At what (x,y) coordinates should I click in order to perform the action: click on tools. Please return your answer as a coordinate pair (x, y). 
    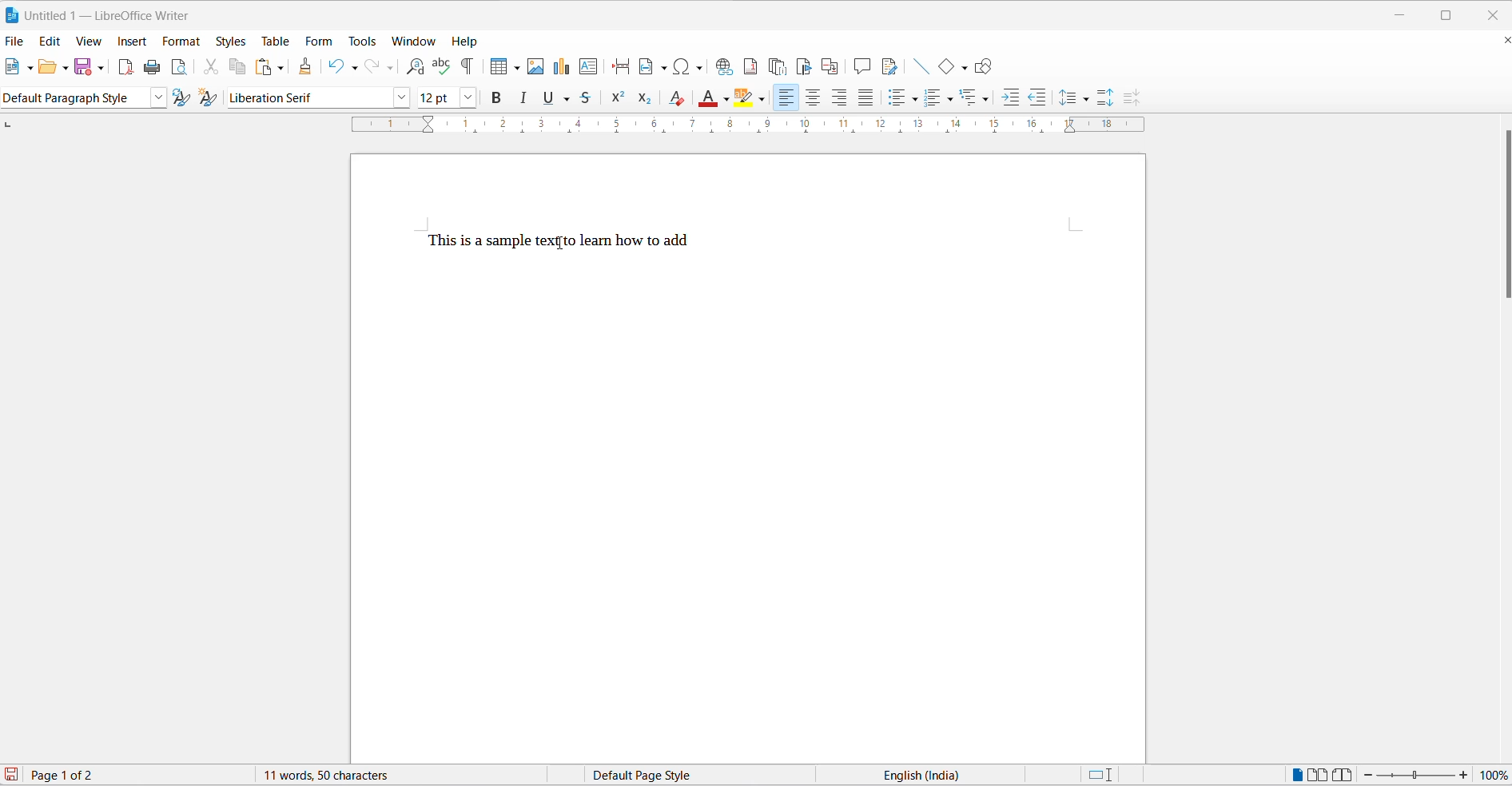
    Looking at the image, I should click on (364, 40).